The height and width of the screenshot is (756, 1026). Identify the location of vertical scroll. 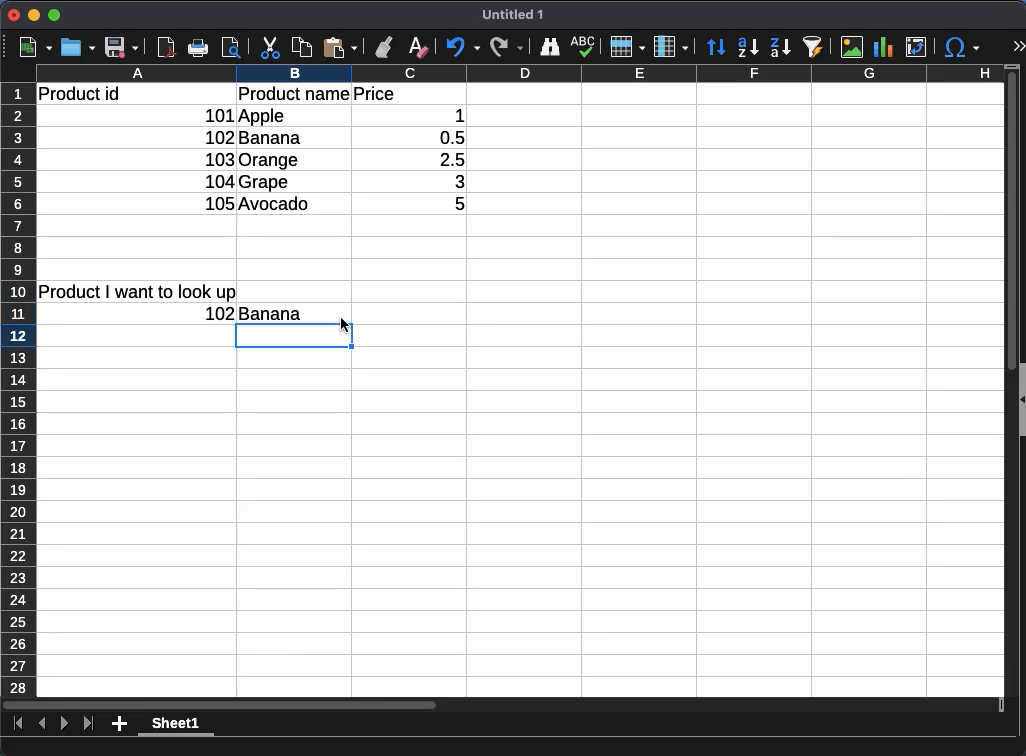
(1012, 381).